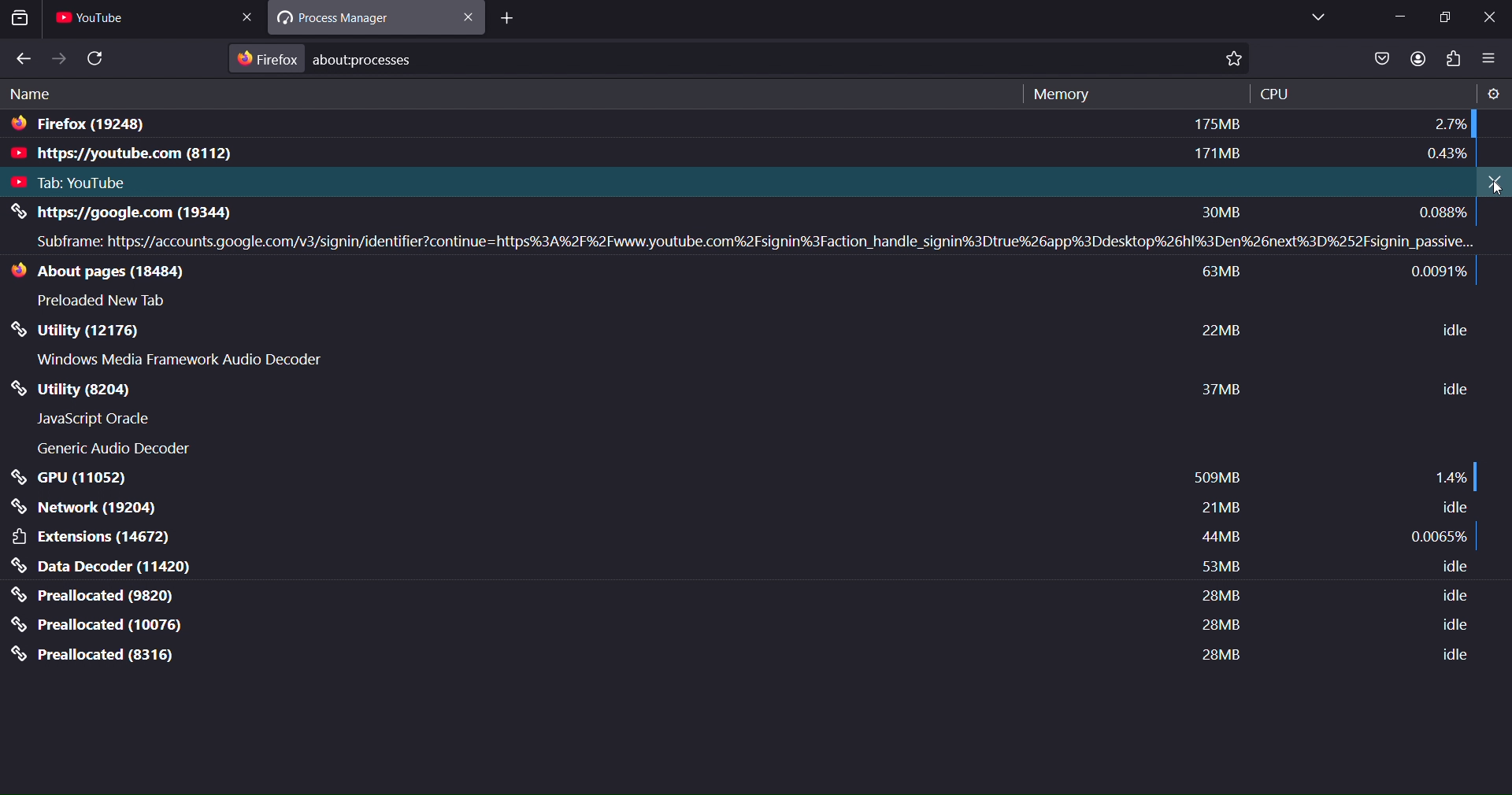  What do you see at coordinates (95, 655) in the screenshot?
I see `preallocated` at bounding box center [95, 655].